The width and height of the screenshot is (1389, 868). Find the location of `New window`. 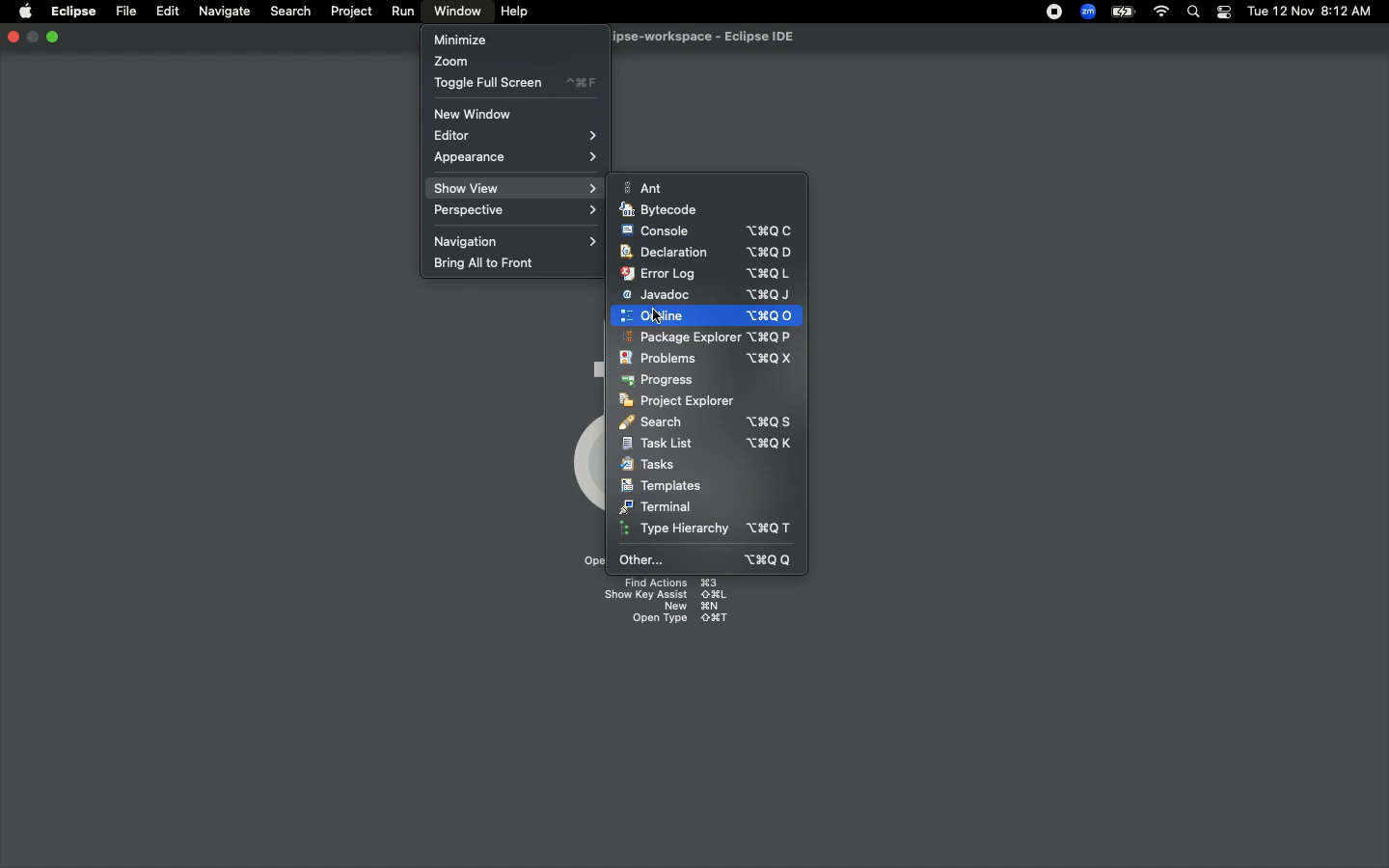

New window is located at coordinates (483, 114).